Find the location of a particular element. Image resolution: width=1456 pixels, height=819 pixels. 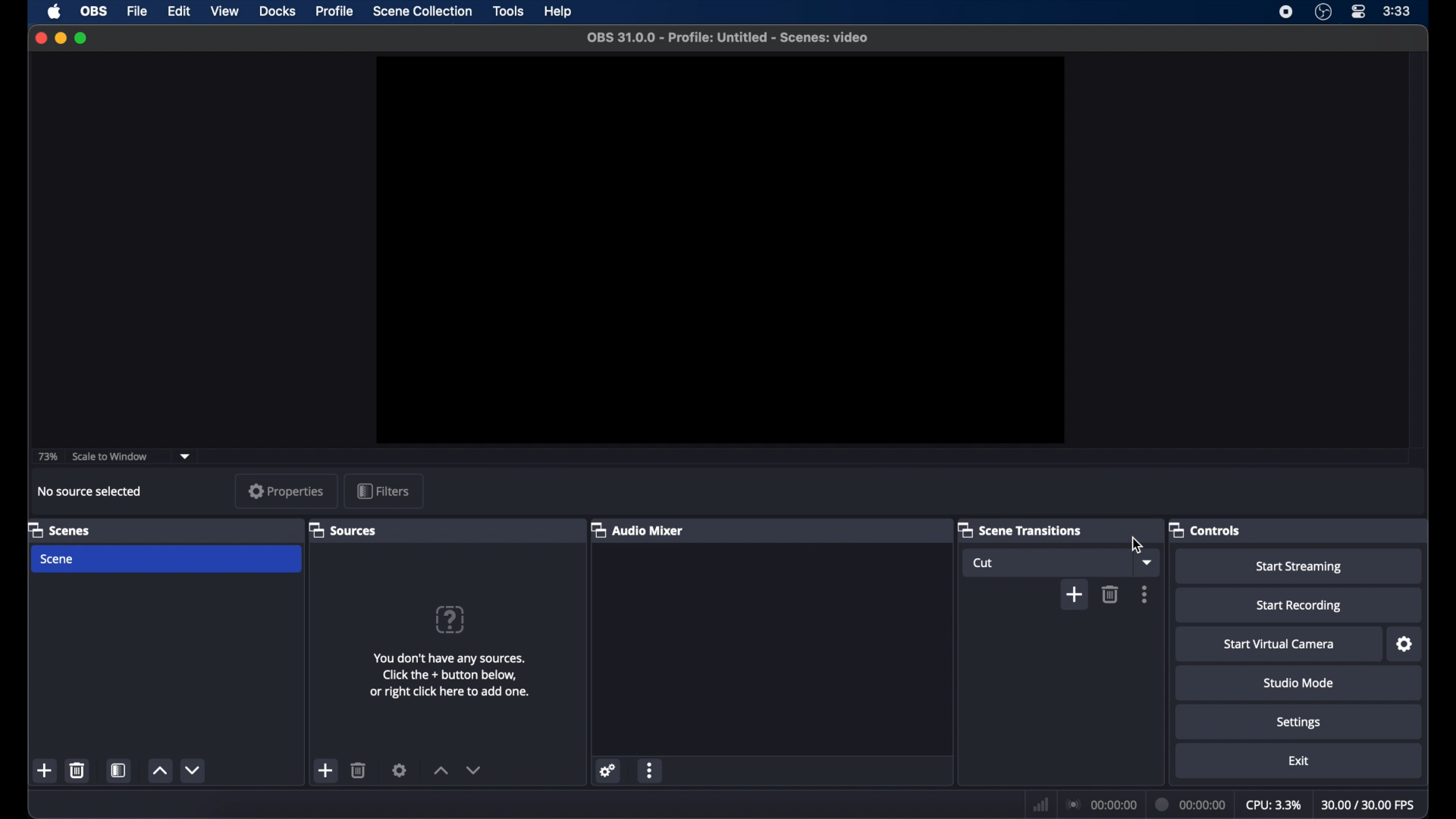

more options is located at coordinates (650, 770).